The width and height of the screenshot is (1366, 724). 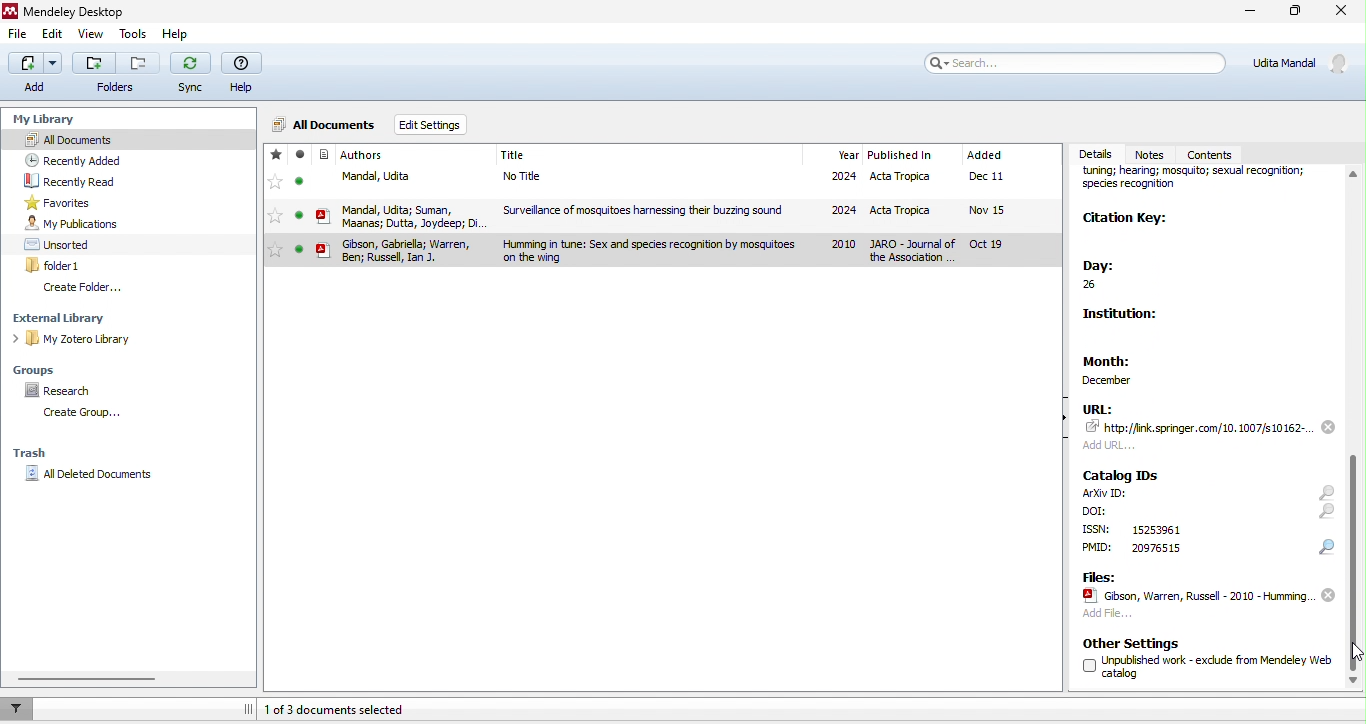 What do you see at coordinates (245, 74) in the screenshot?
I see `help` at bounding box center [245, 74].